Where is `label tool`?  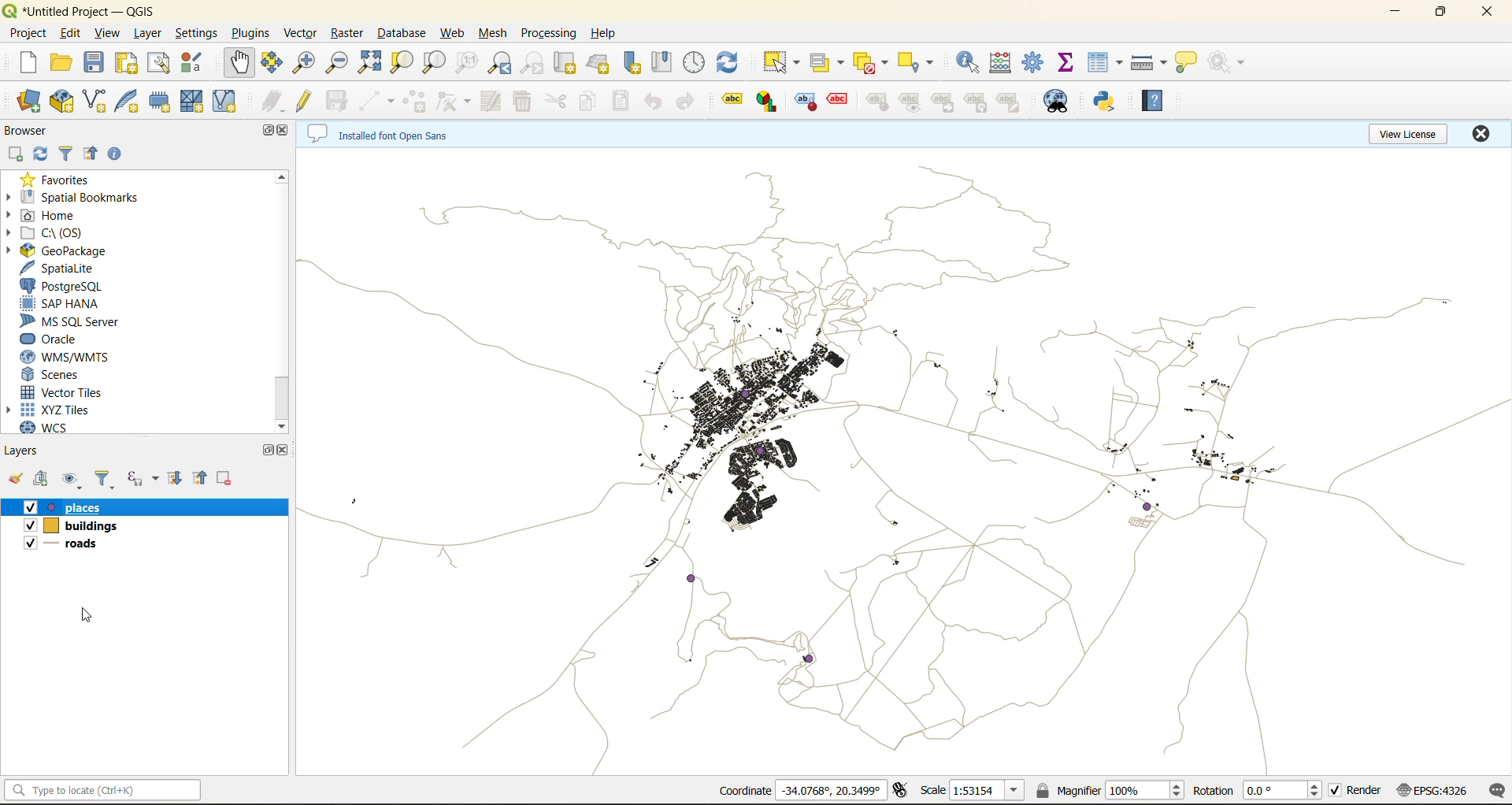 label tool is located at coordinates (735, 98).